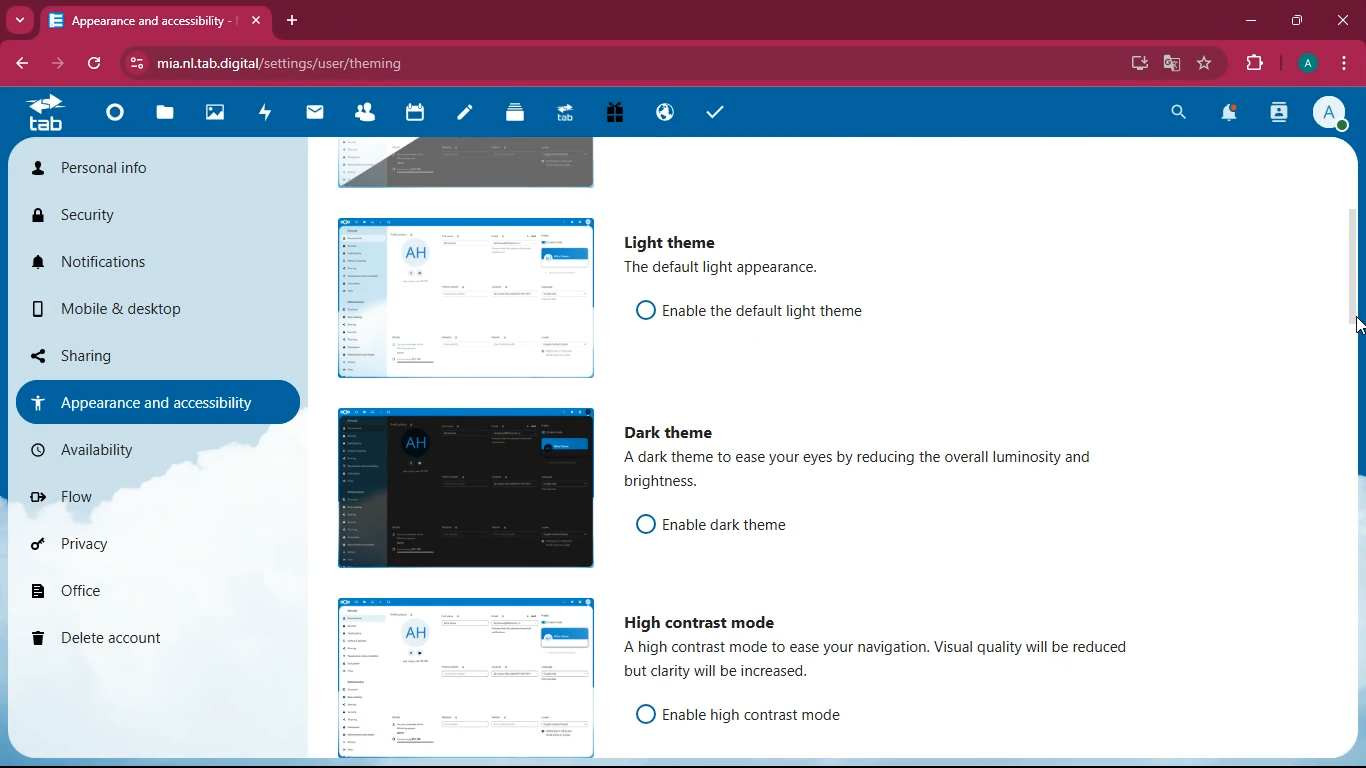 This screenshot has height=768, width=1366. Describe the element at coordinates (761, 714) in the screenshot. I see `enable high contrast mode` at that location.